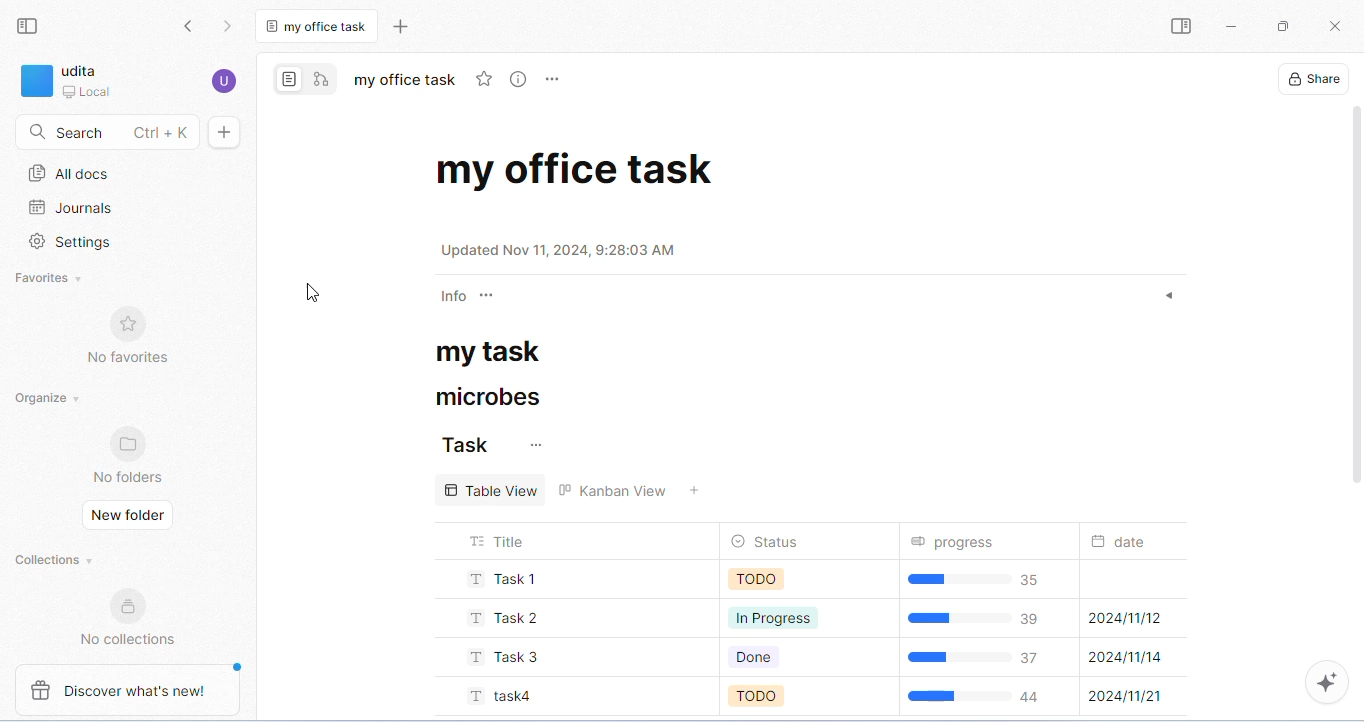  Describe the element at coordinates (1353, 296) in the screenshot. I see `vertical scroll bar` at that location.